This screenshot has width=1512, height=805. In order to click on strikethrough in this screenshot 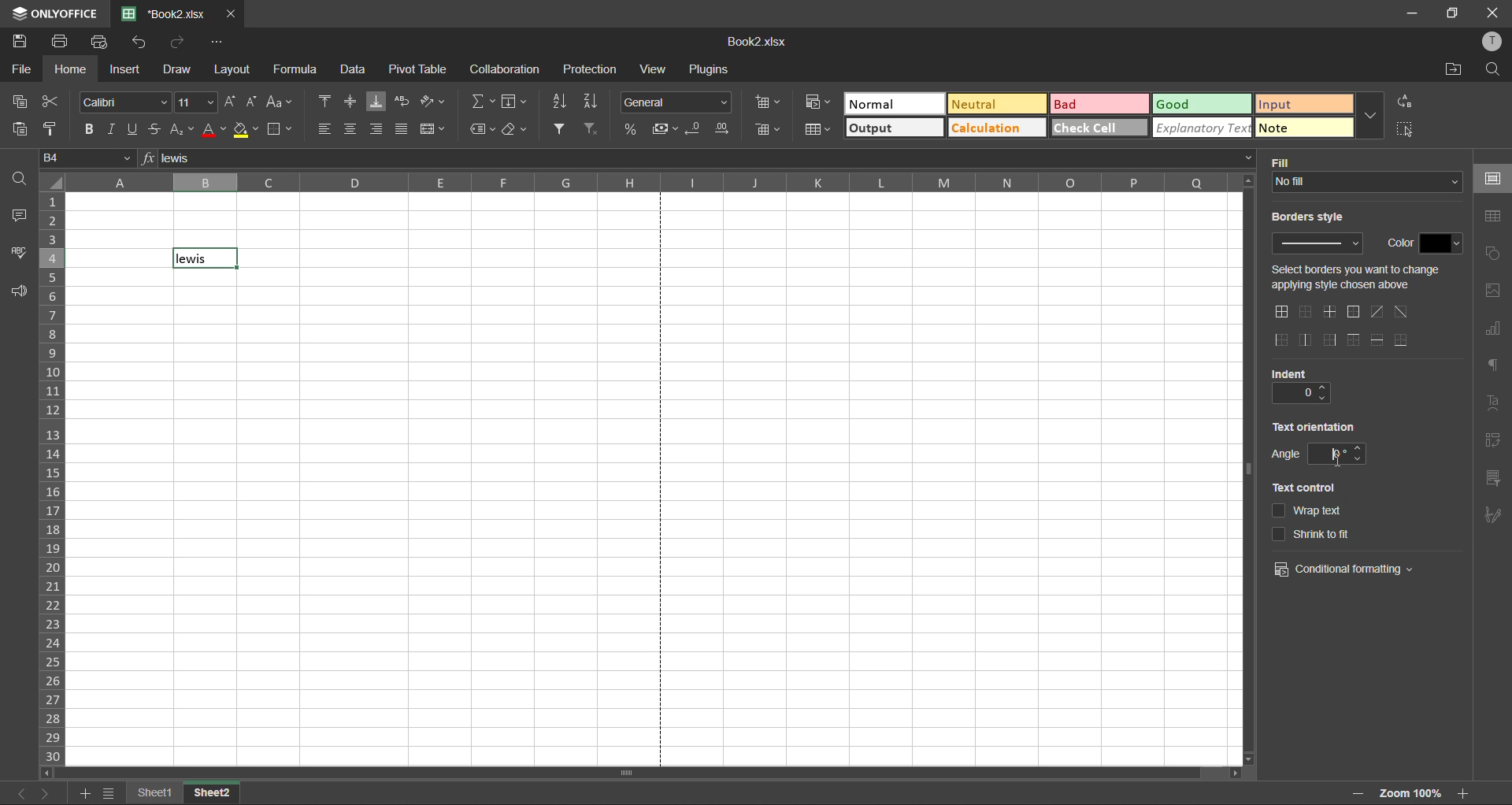, I will do `click(154, 129)`.